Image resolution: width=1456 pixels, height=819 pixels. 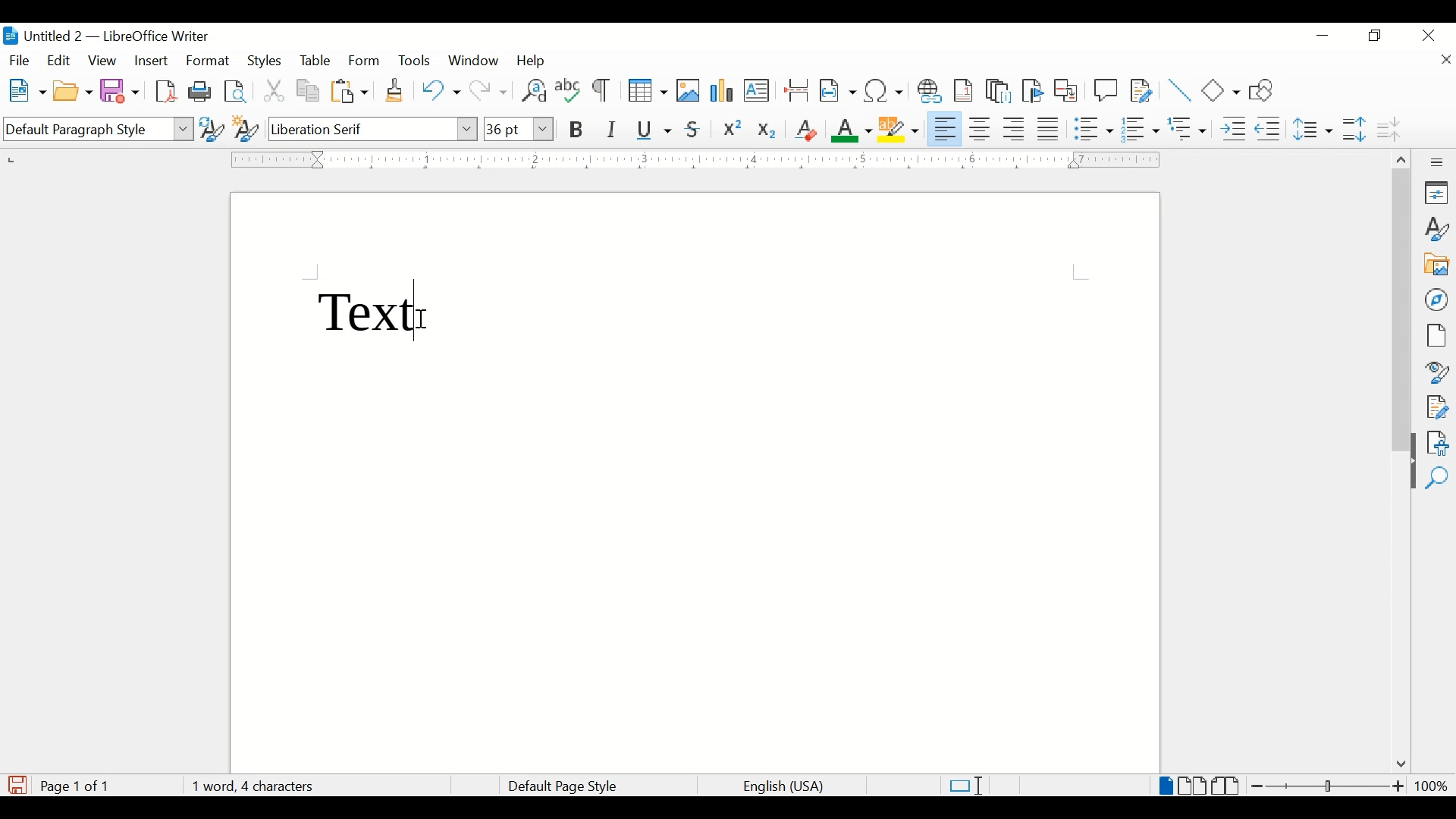 What do you see at coordinates (1141, 89) in the screenshot?
I see `show track changes functions` at bounding box center [1141, 89].